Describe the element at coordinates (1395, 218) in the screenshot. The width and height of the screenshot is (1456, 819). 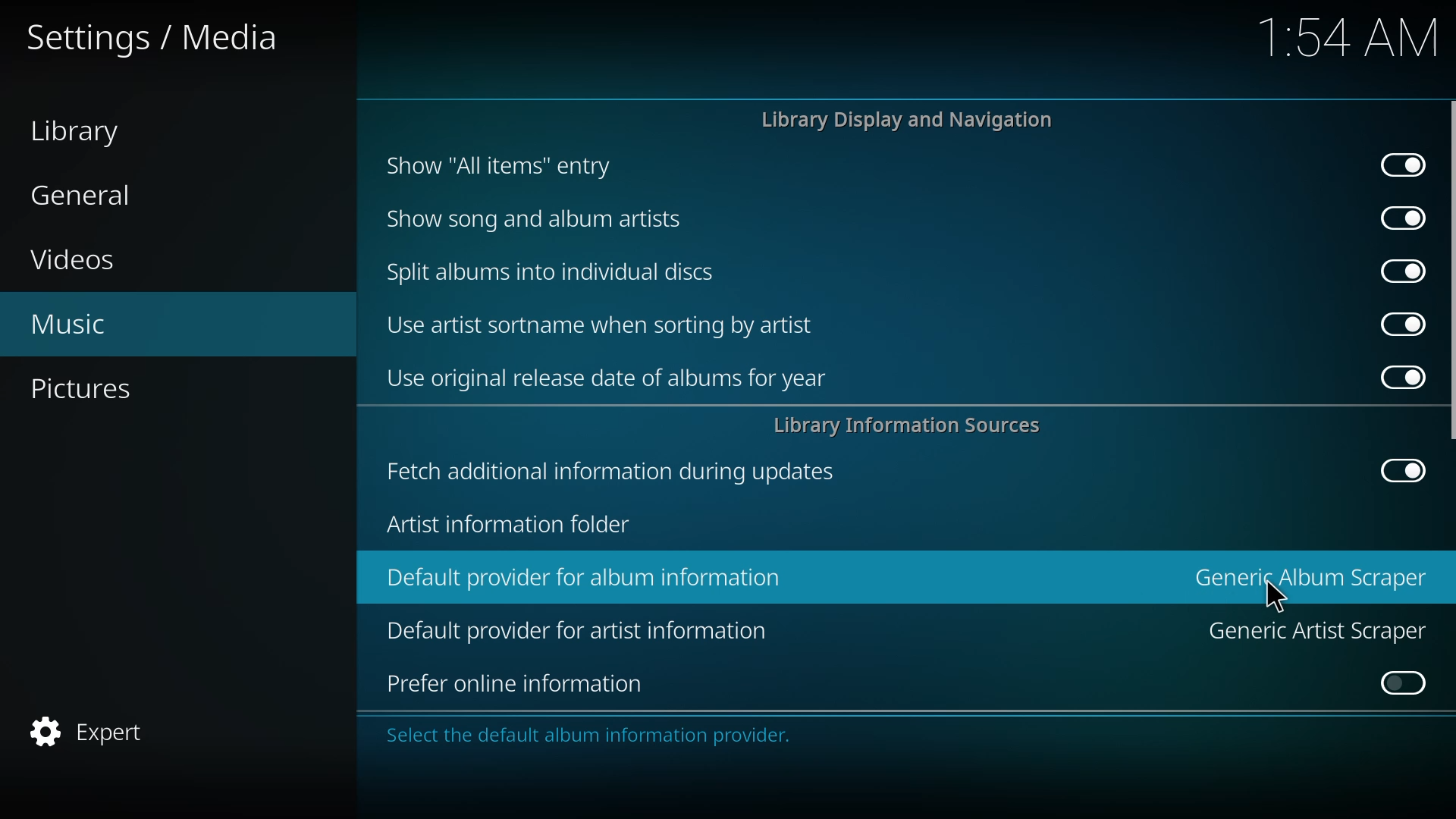
I see `enabled` at that location.